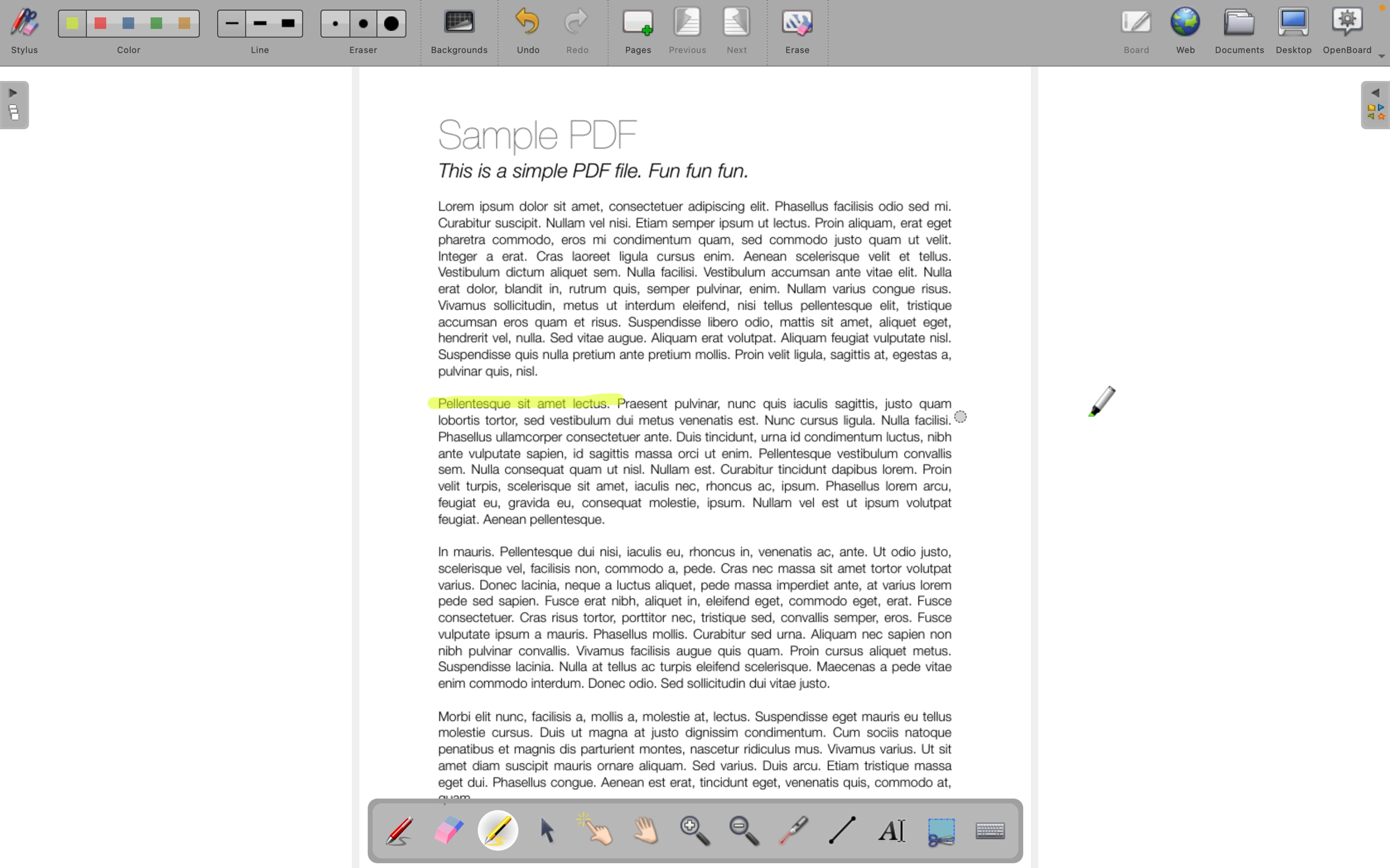  What do you see at coordinates (897, 831) in the screenshot?
I see `write text` at bounding box center [897, 831].